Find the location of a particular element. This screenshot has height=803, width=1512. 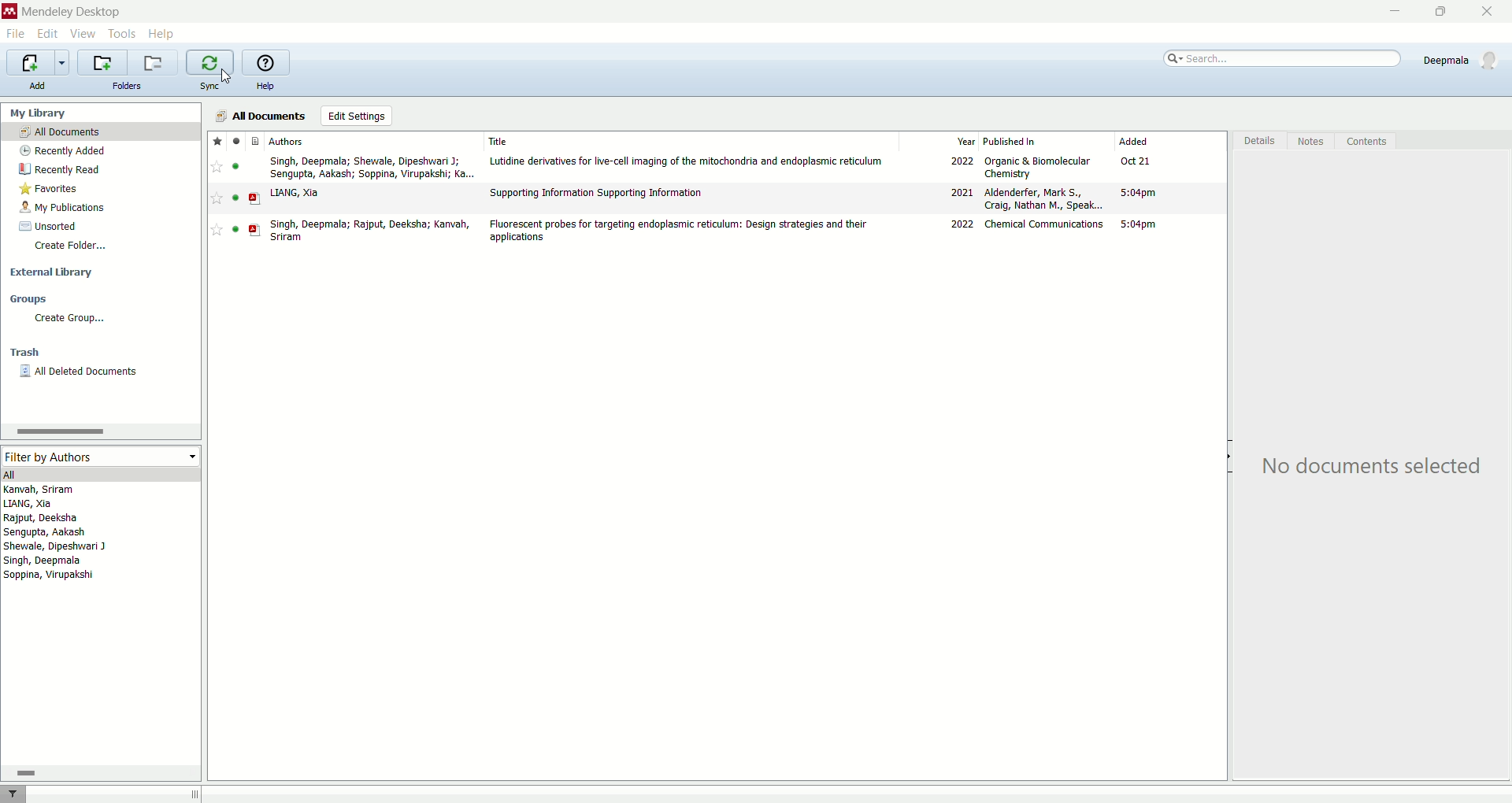

groups is located at coordinates (31, 298).